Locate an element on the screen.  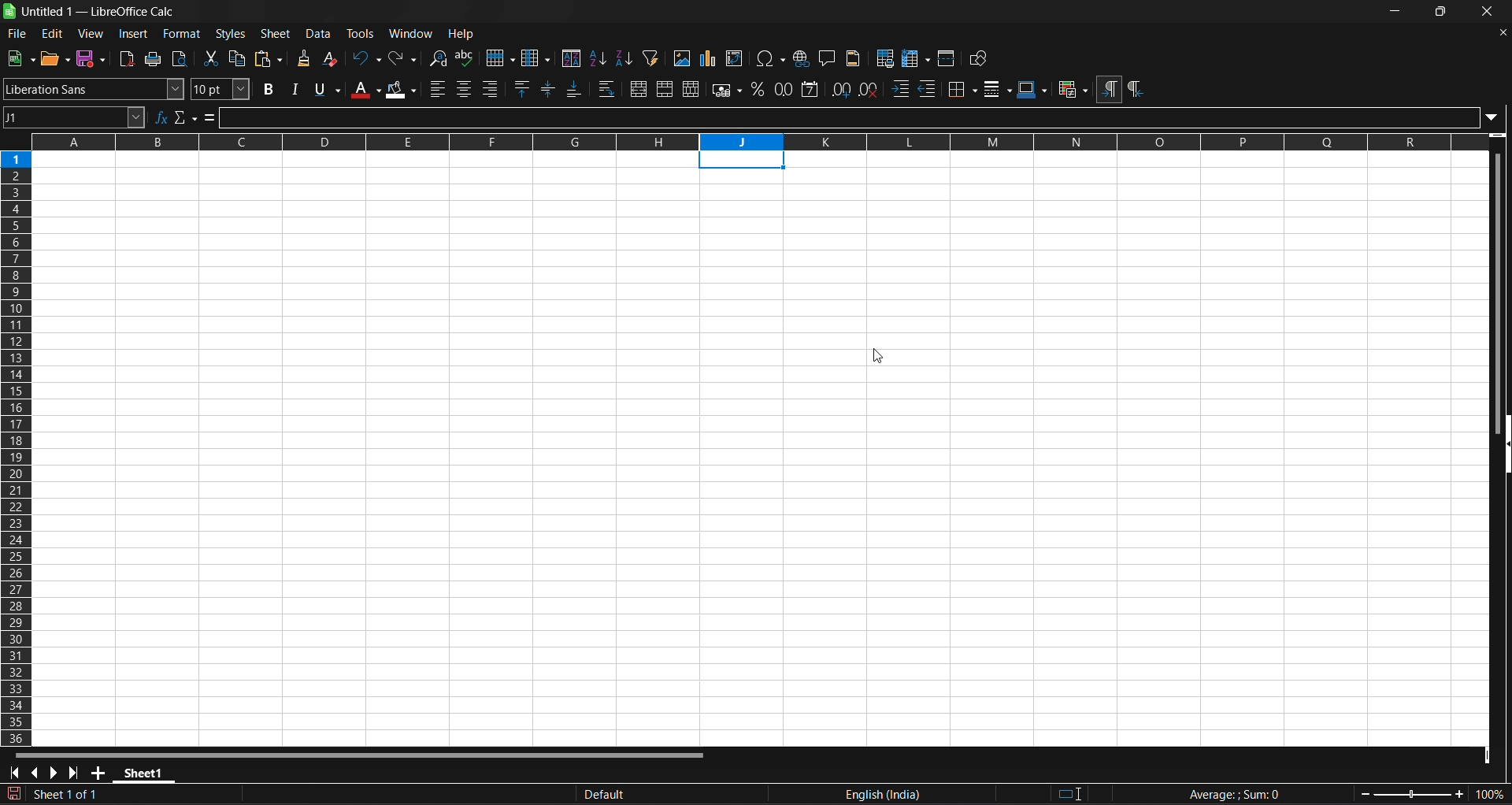
clone formatting is located at coordinates (306, 57).